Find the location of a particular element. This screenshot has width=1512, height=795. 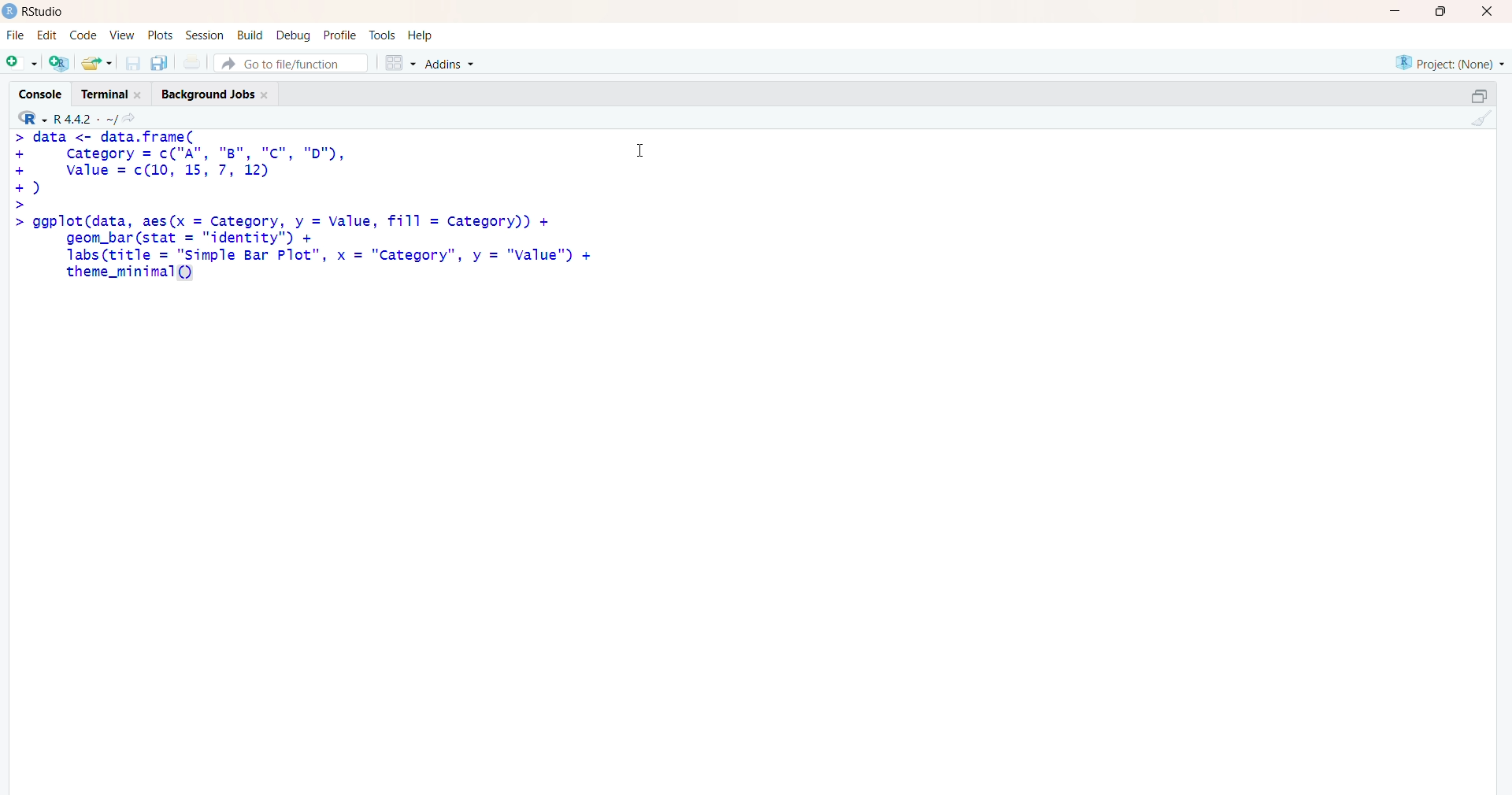

debug is located at coordinates (294, 35).